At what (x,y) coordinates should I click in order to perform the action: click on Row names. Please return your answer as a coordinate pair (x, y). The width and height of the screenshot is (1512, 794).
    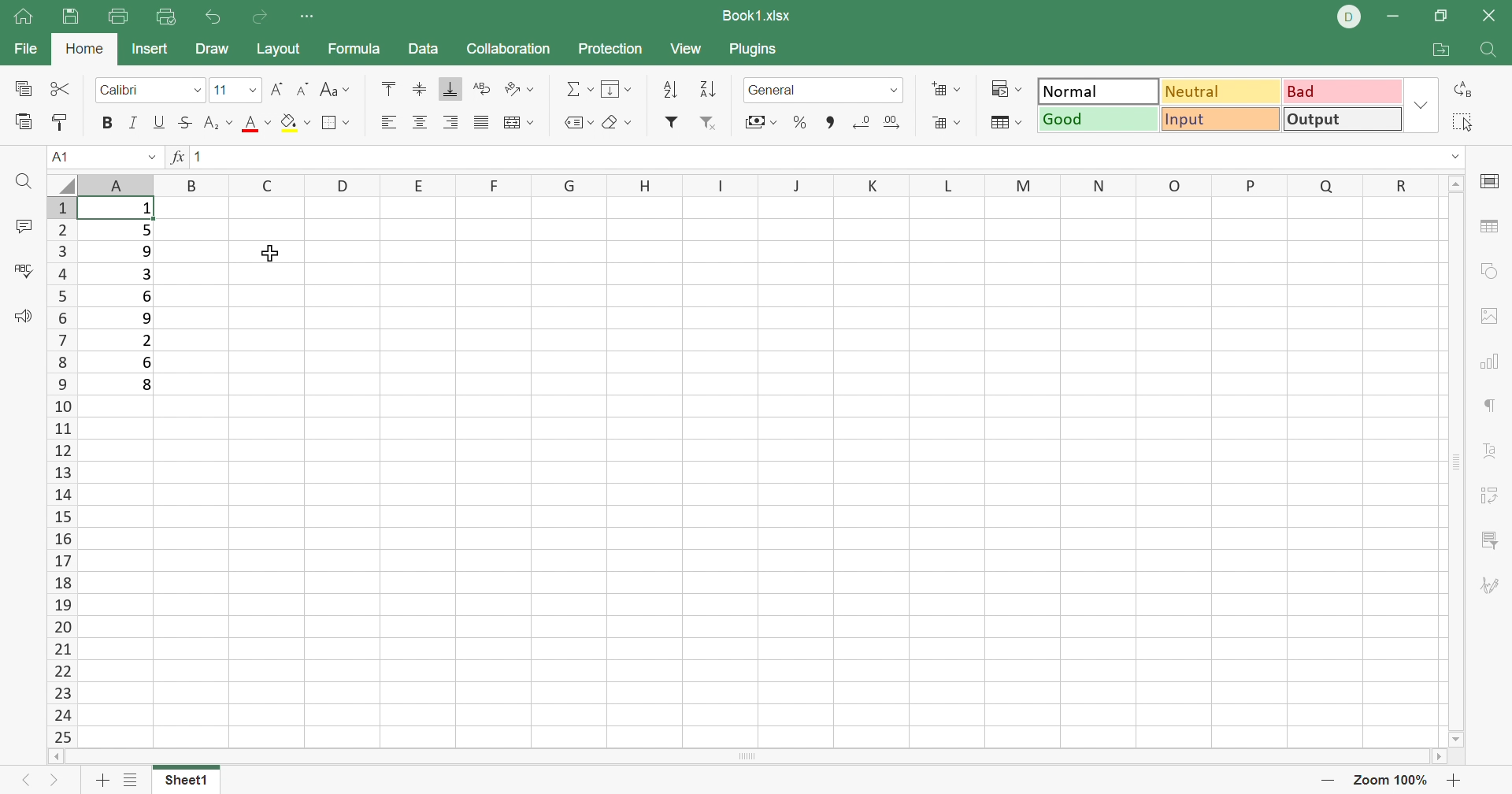
    Looking at the image, I should click on (61, 471).